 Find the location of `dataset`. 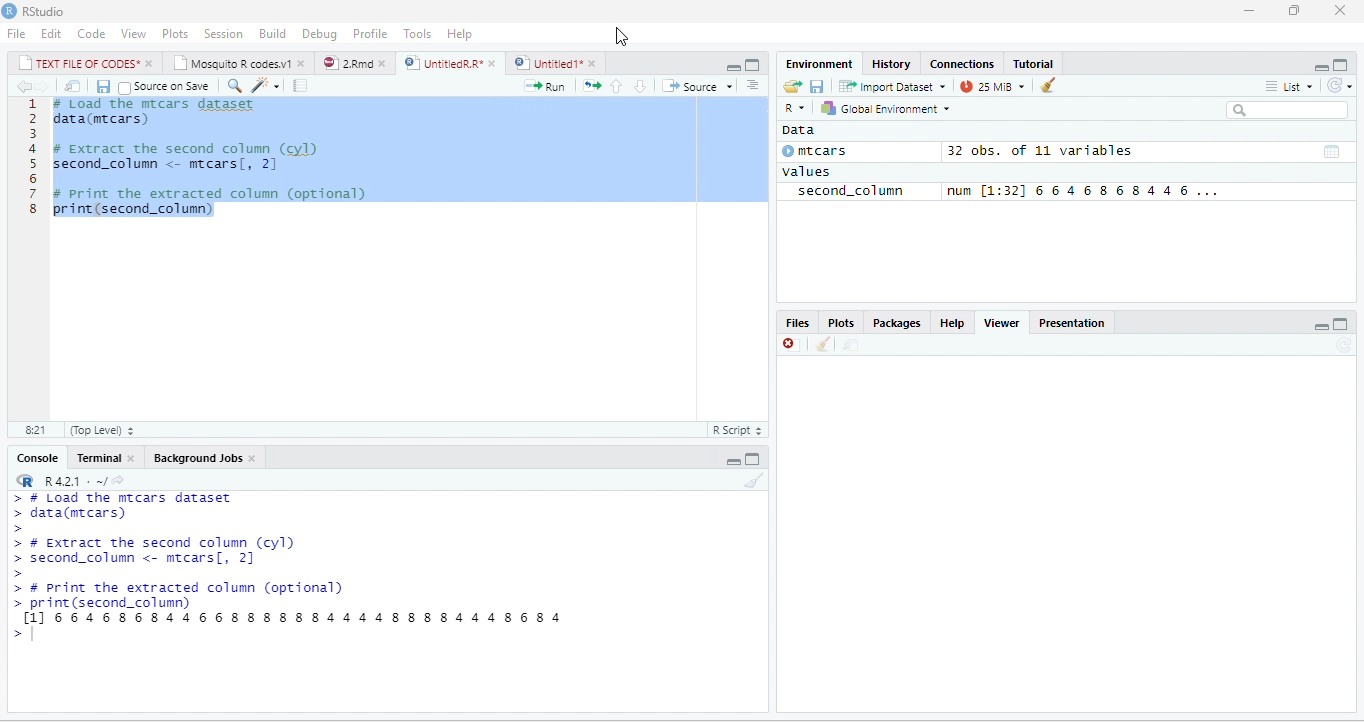

dataset is located at coordinates (1332, 151).